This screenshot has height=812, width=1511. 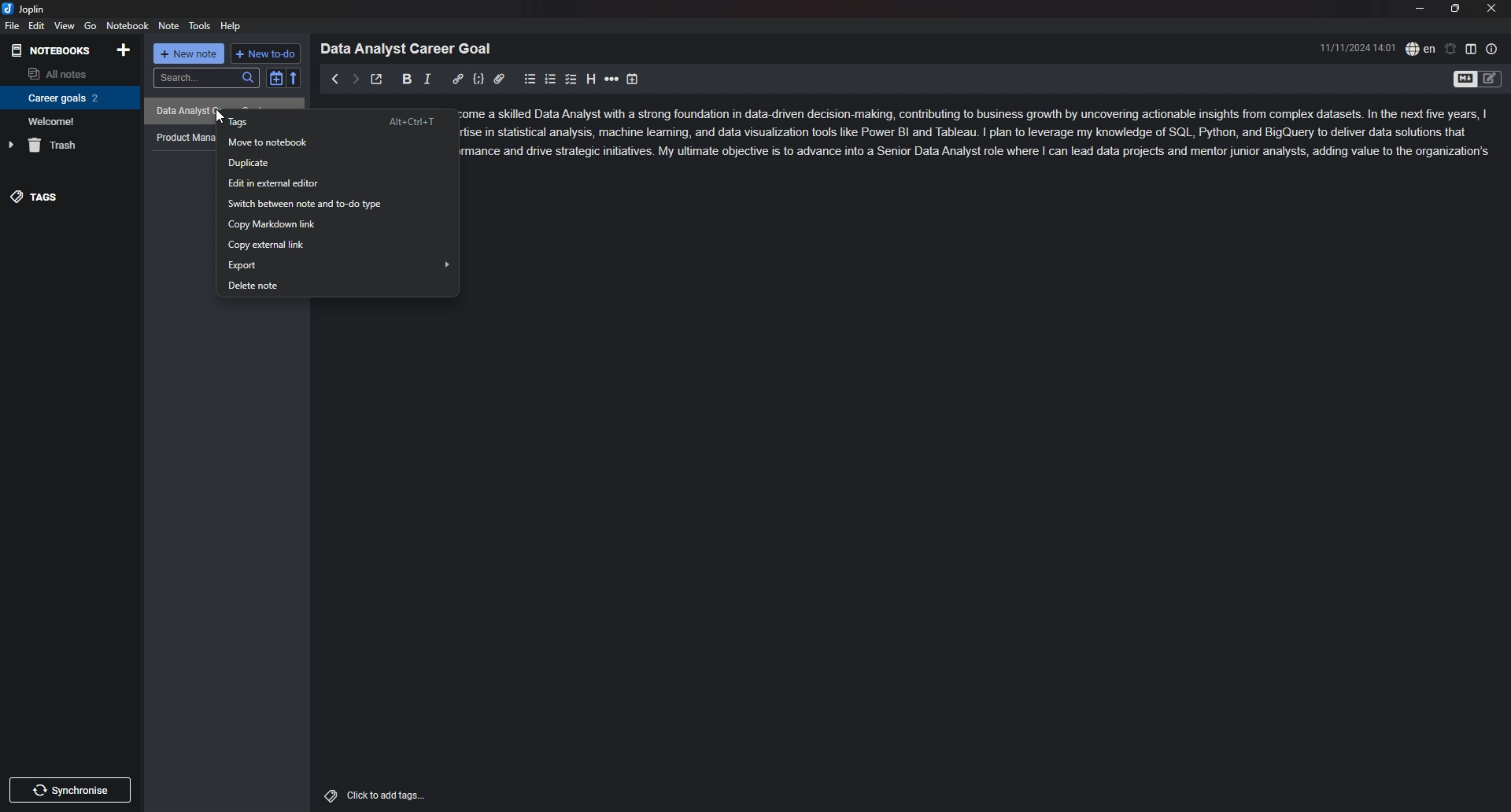 I want to click on tags, so click(x=69, y=197).